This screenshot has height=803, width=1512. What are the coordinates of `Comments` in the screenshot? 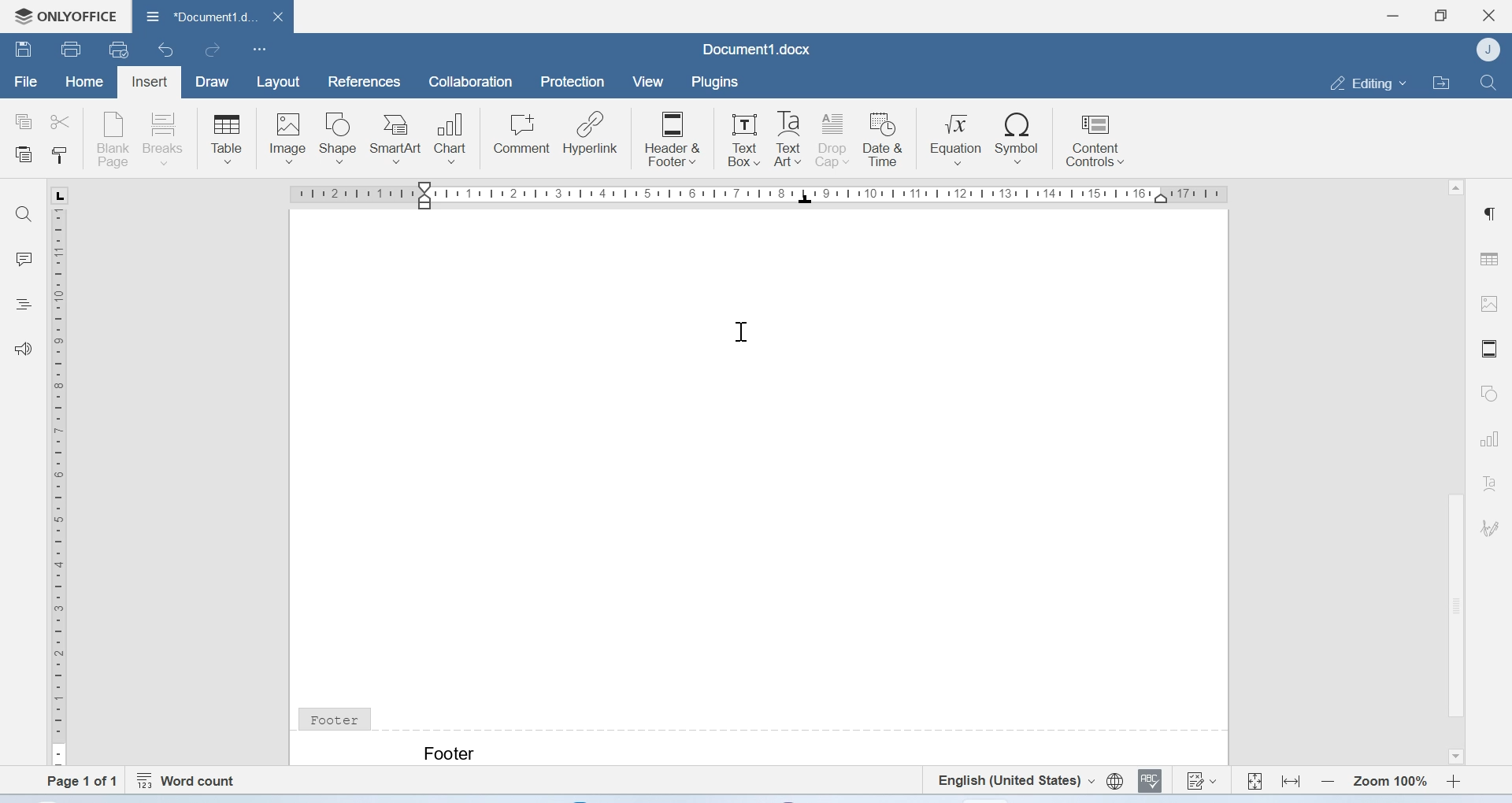 It's located at (24, 259).